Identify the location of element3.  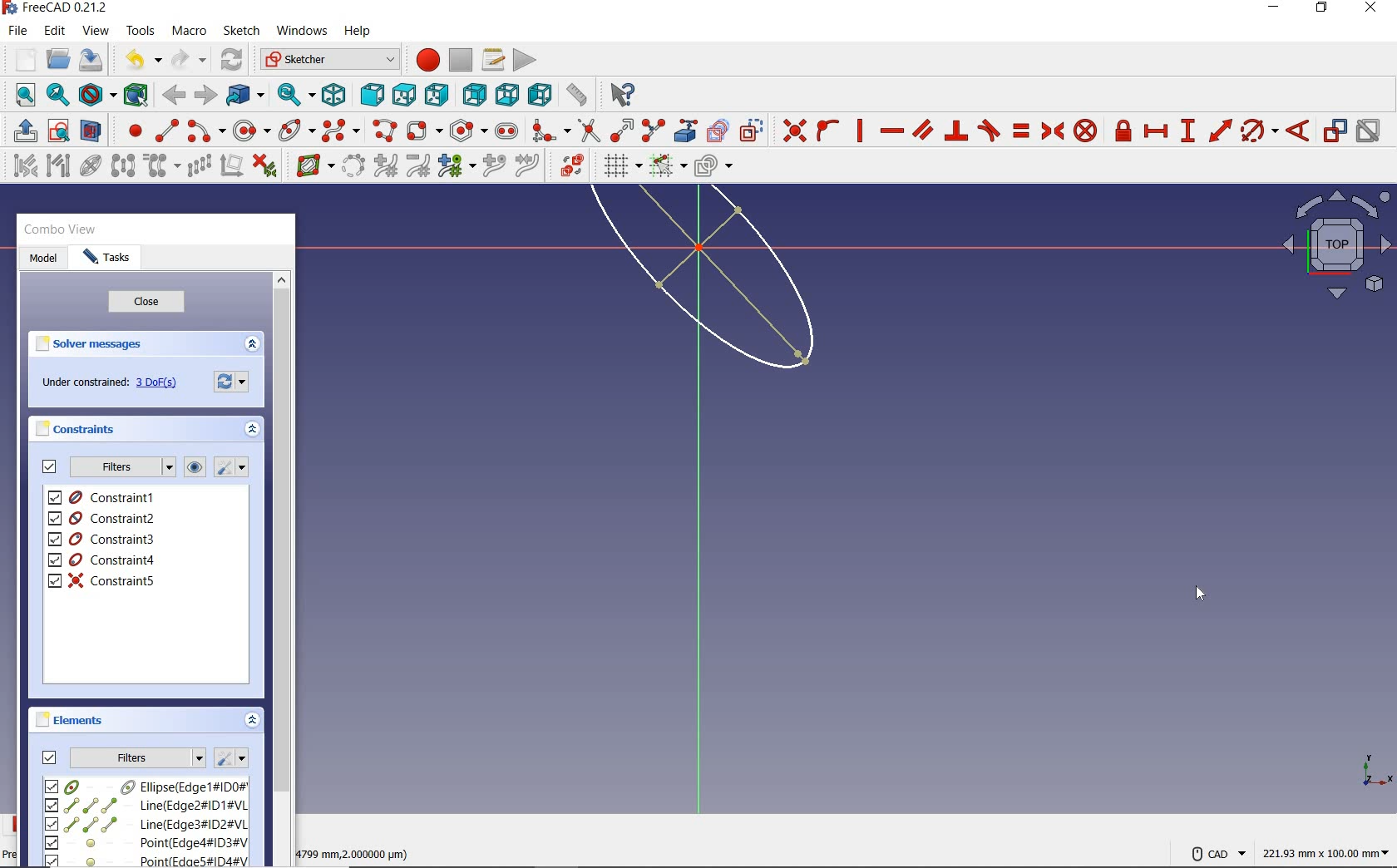
(146, 824).